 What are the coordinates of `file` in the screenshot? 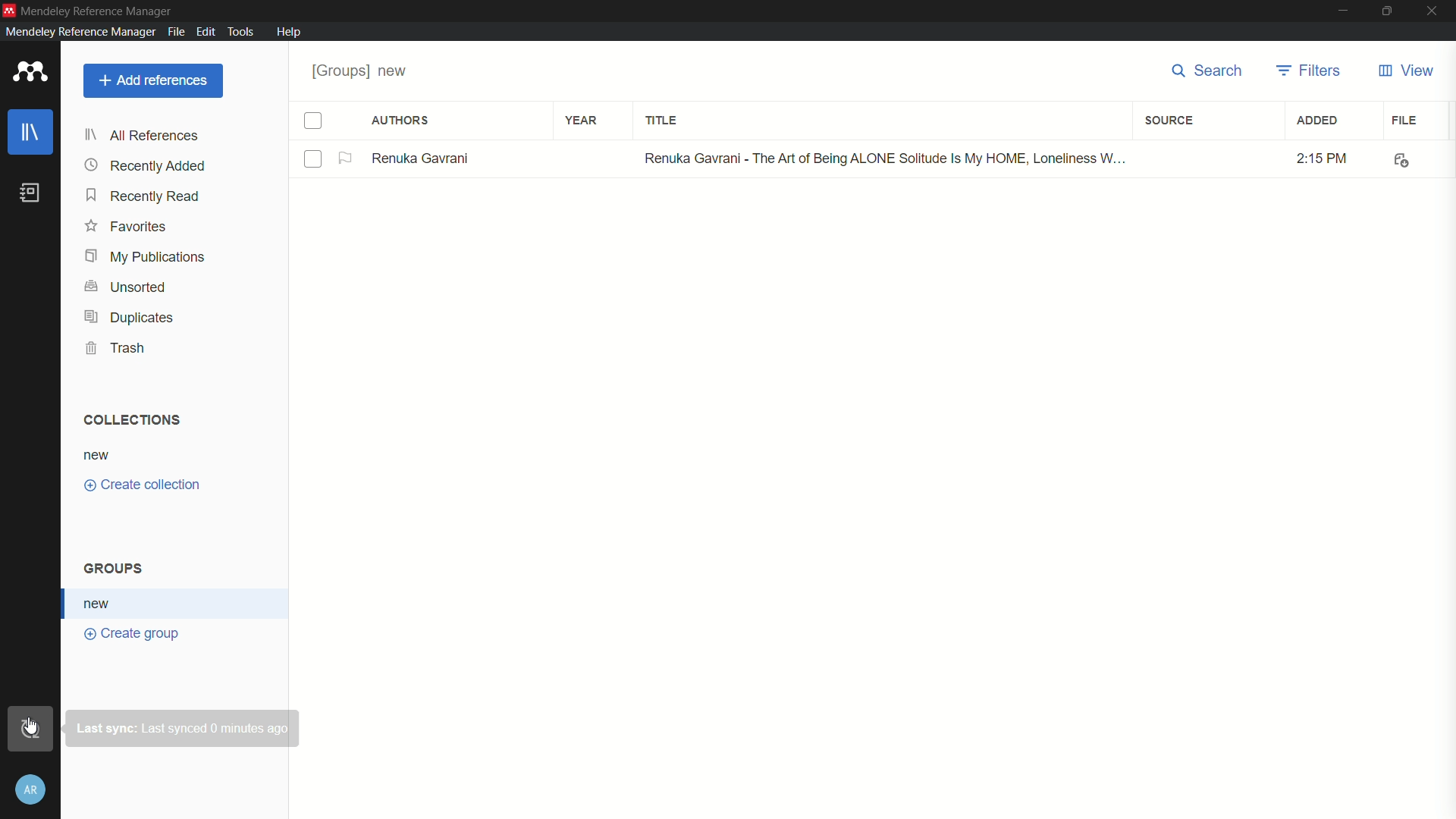 It's located at (1404, 121).